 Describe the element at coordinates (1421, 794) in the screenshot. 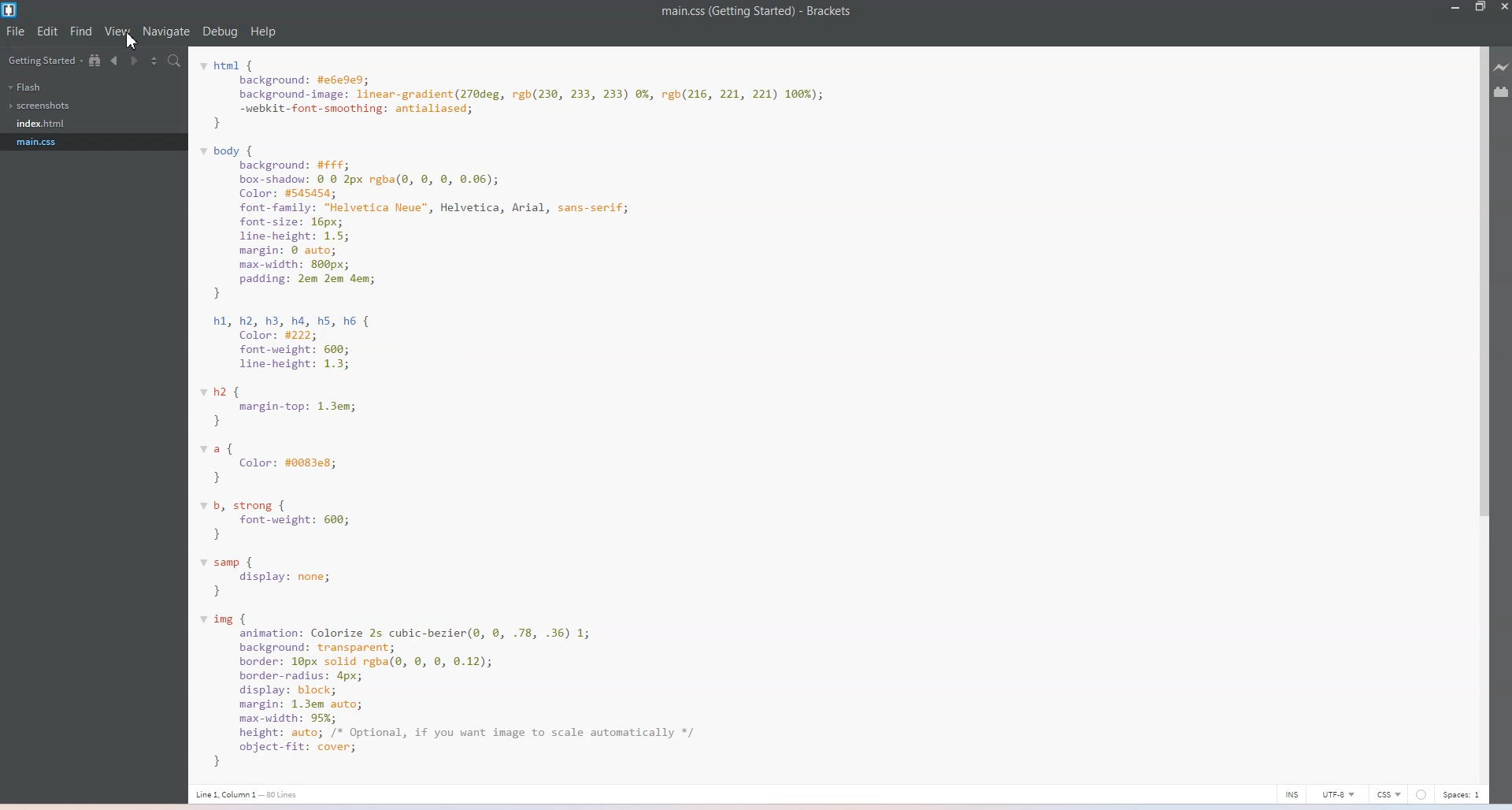

I see `circle` at that location.